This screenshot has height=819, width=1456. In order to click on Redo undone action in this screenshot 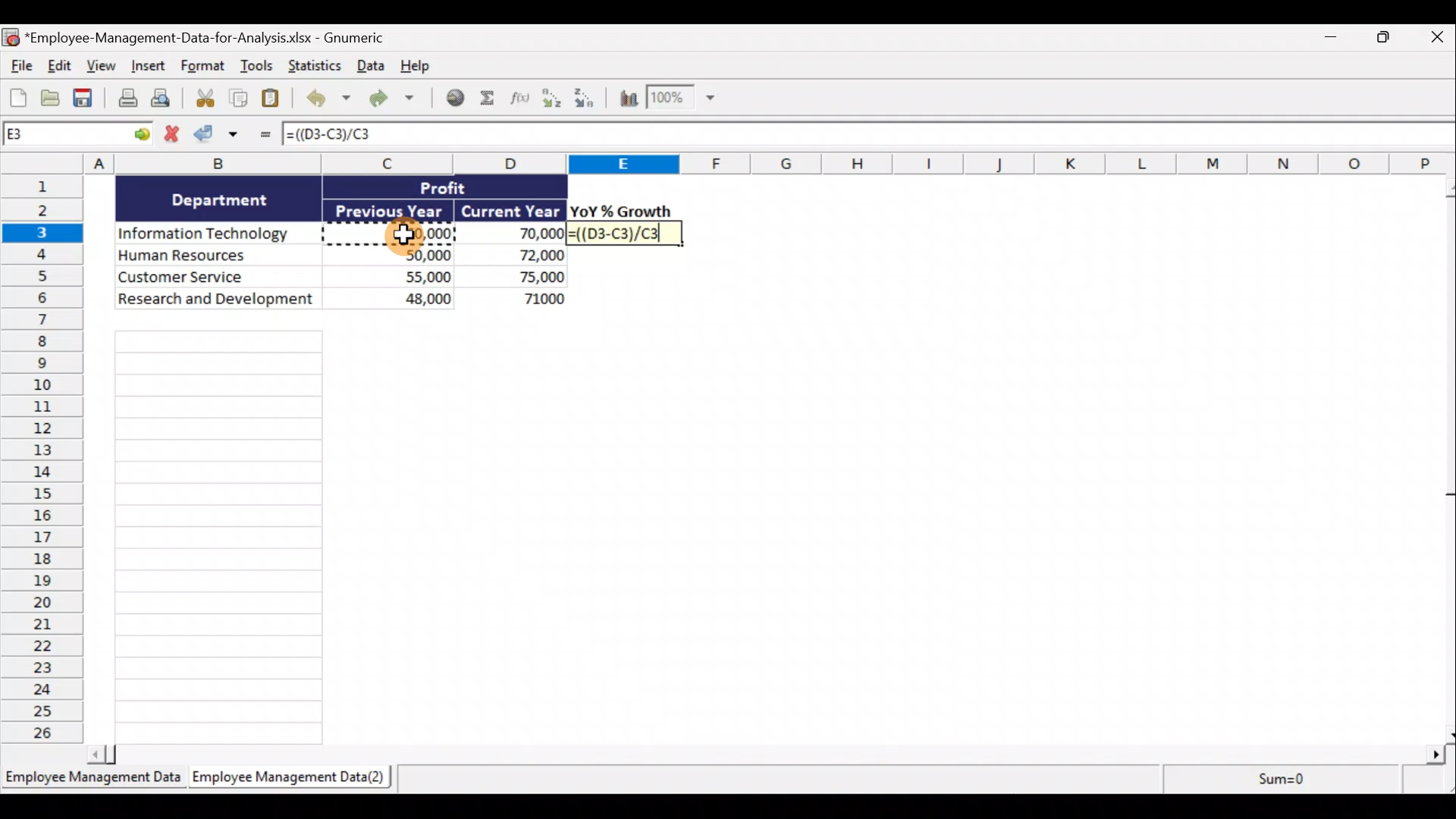, I will do `click(390, 99)`.